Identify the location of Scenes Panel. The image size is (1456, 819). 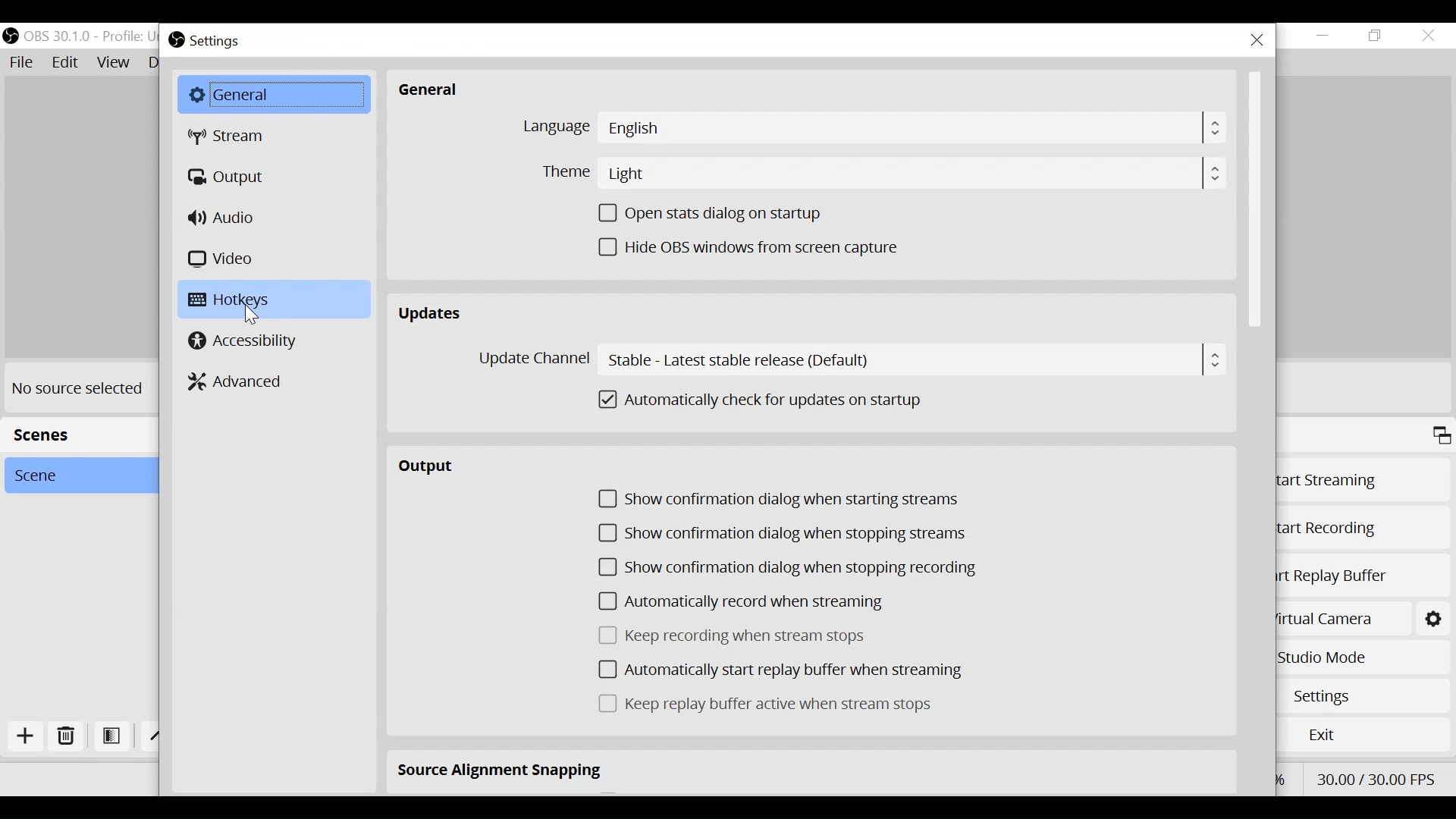
(74, 433).